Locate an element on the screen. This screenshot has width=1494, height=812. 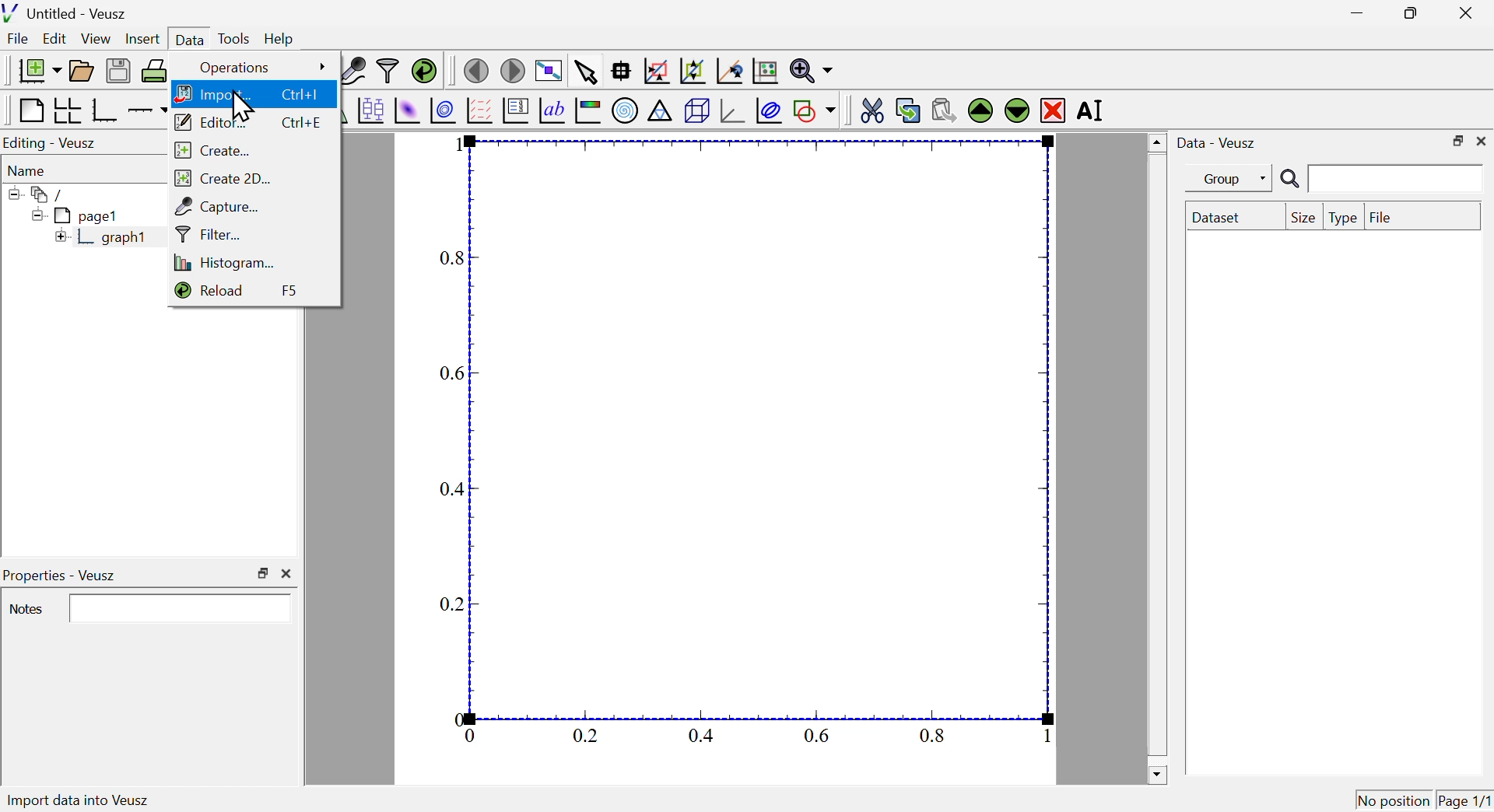
plot box plots is located at coordinates (370, 109).